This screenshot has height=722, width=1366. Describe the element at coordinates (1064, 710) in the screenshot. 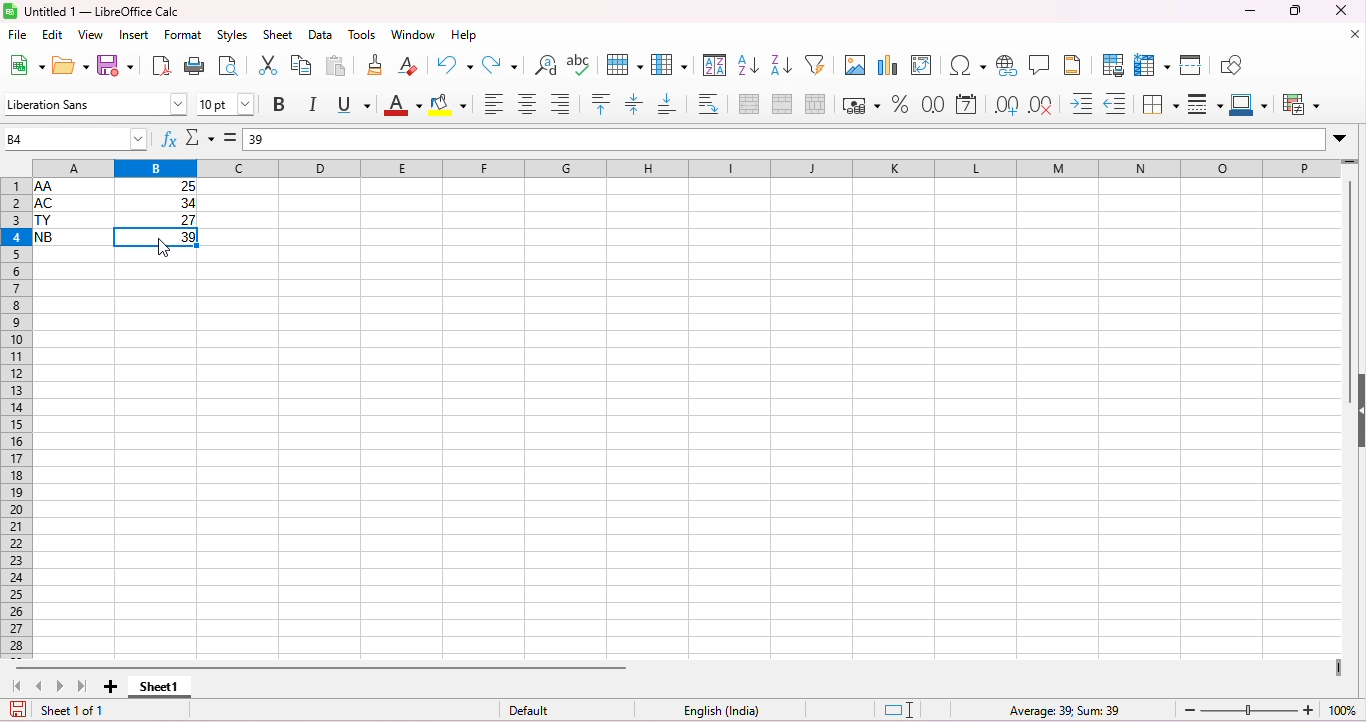

I see `formula` at that location.